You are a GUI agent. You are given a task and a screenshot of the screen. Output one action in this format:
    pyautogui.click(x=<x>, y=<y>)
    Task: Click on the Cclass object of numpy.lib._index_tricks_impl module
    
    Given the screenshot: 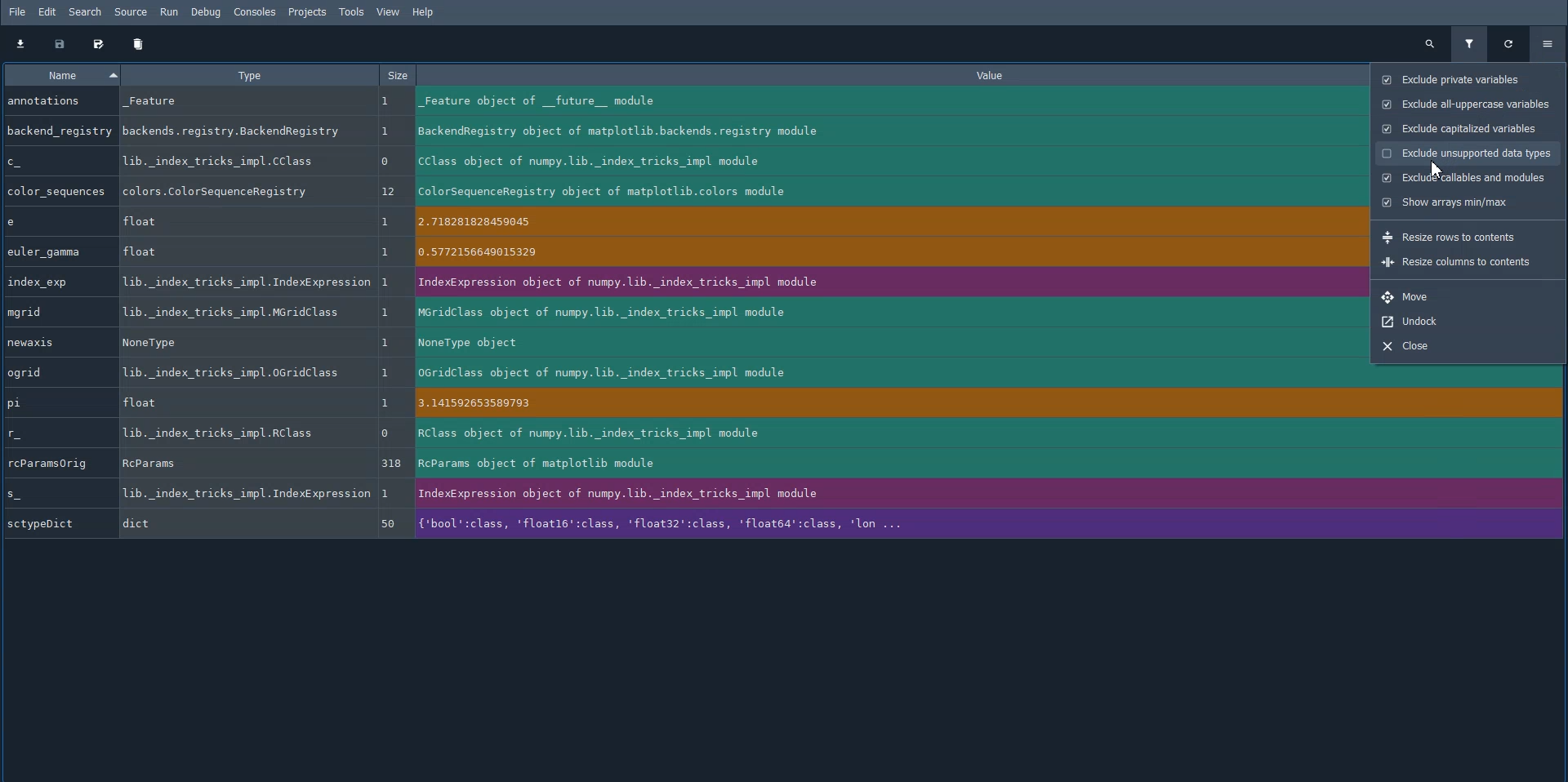 What is the action you would take?
    pyautogui.click(x=871, y=162)
    